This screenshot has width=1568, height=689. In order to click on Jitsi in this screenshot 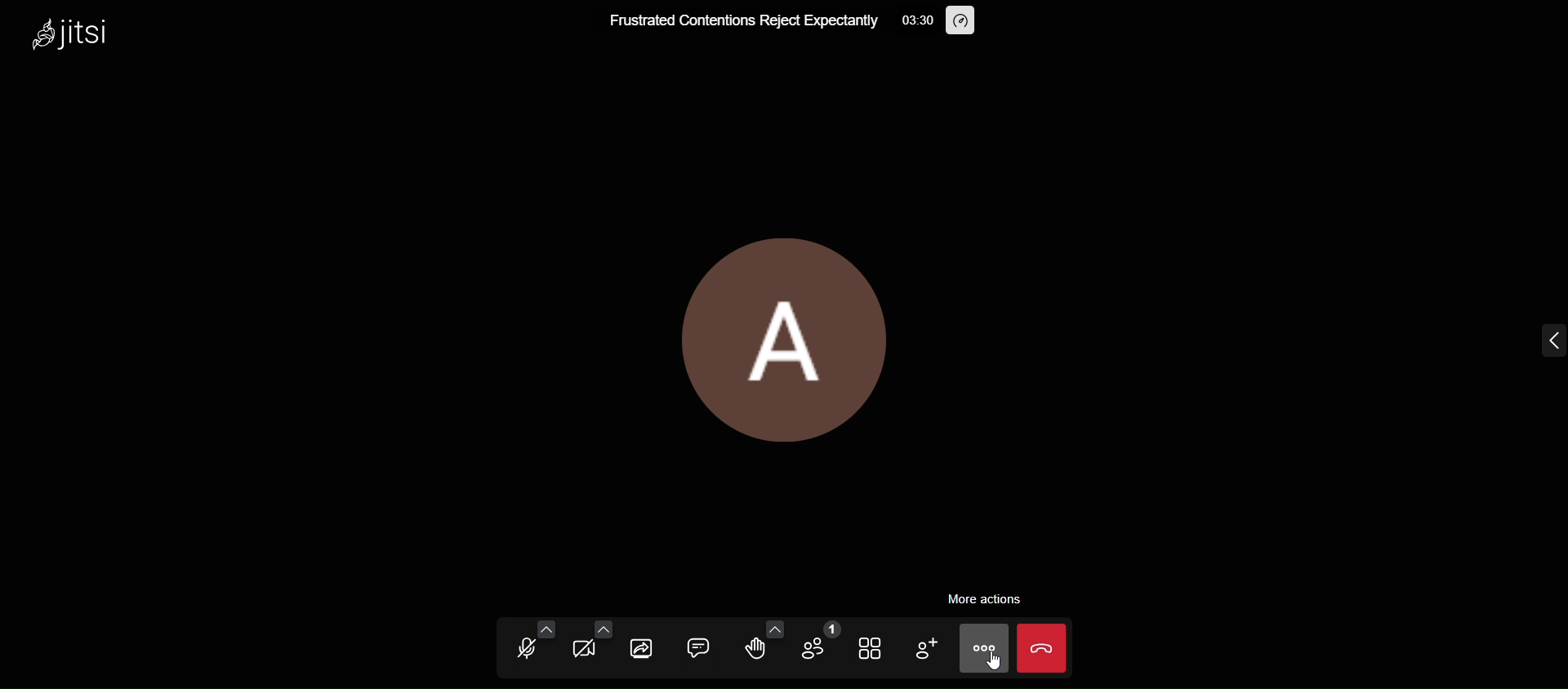, I will do `click(90, 38)`.